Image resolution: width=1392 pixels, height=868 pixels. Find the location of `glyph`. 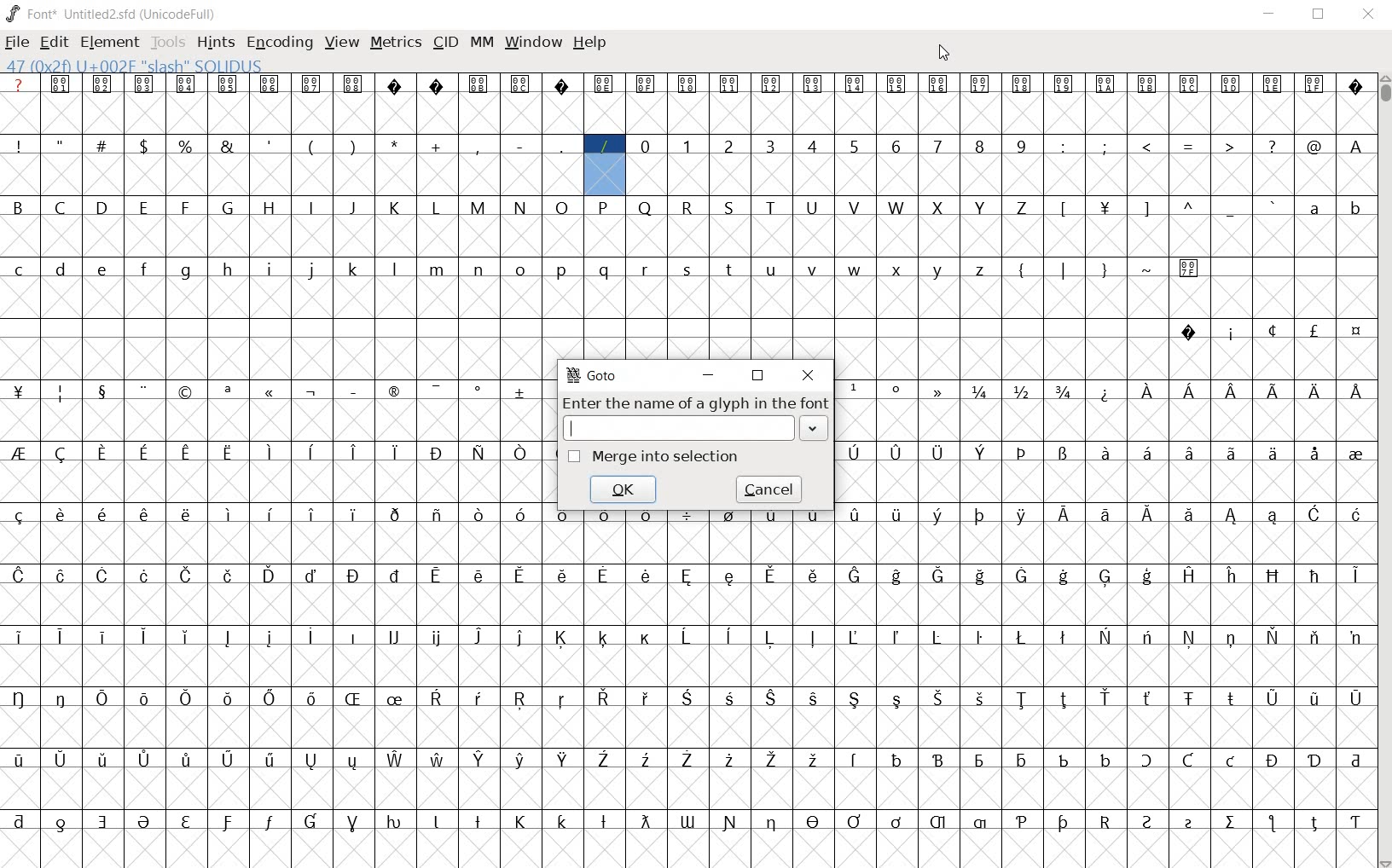

glyph is located at coordinates (772, 824).